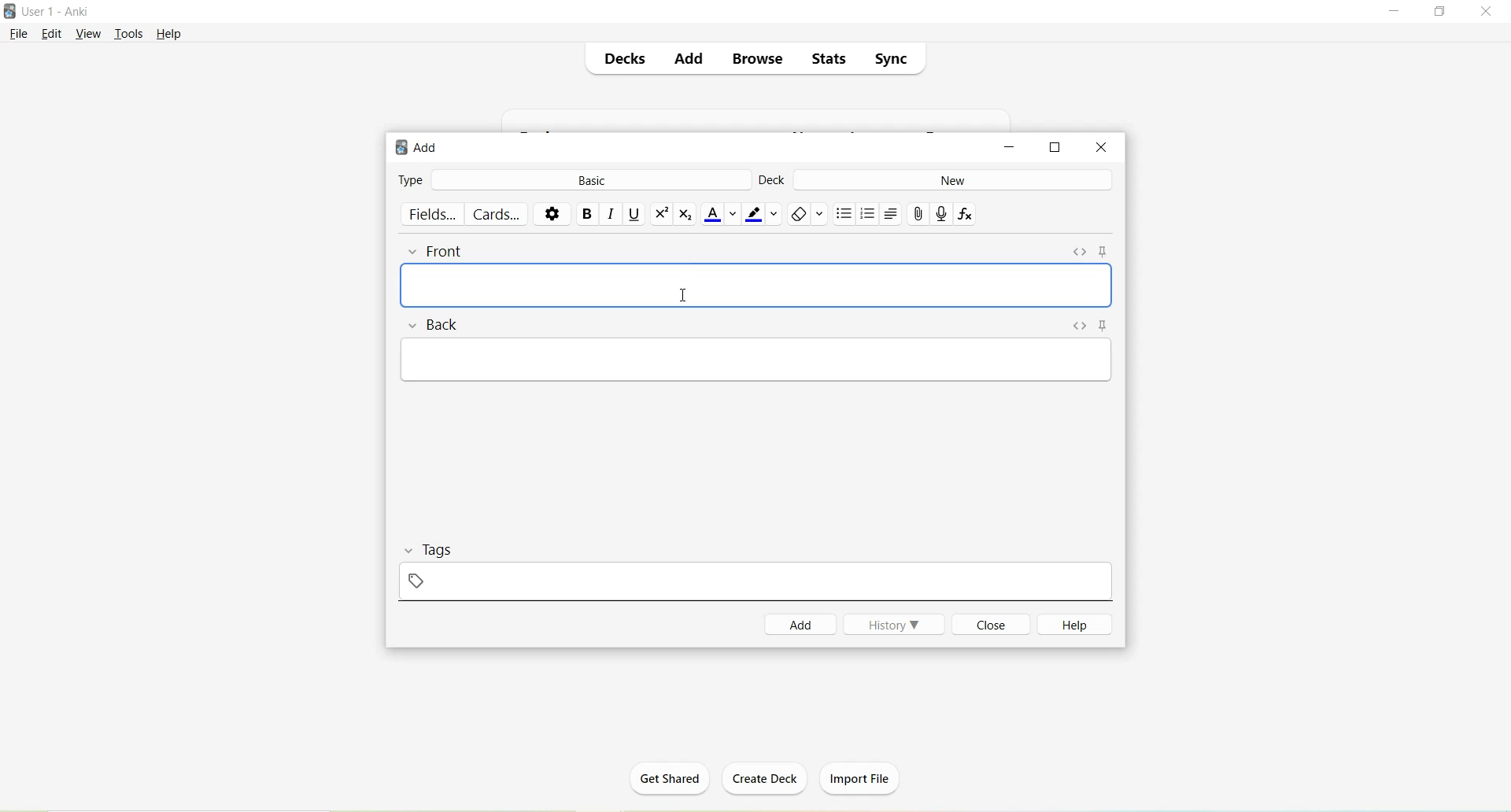  I want to click on Maximize, so click(1055, 148).